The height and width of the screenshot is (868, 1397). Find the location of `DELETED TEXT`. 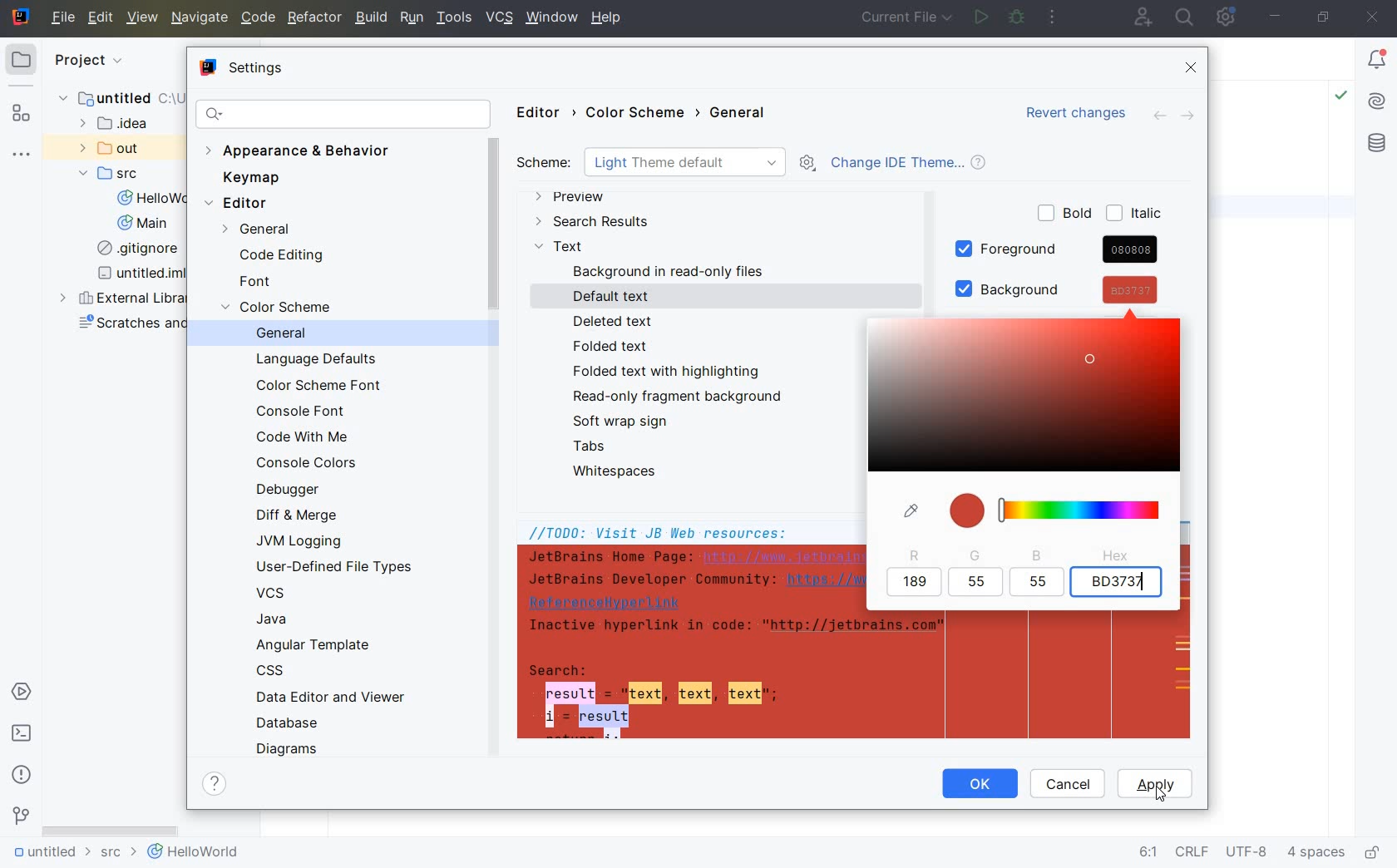

DELETED TEXT is located at coordinates (612, 320).